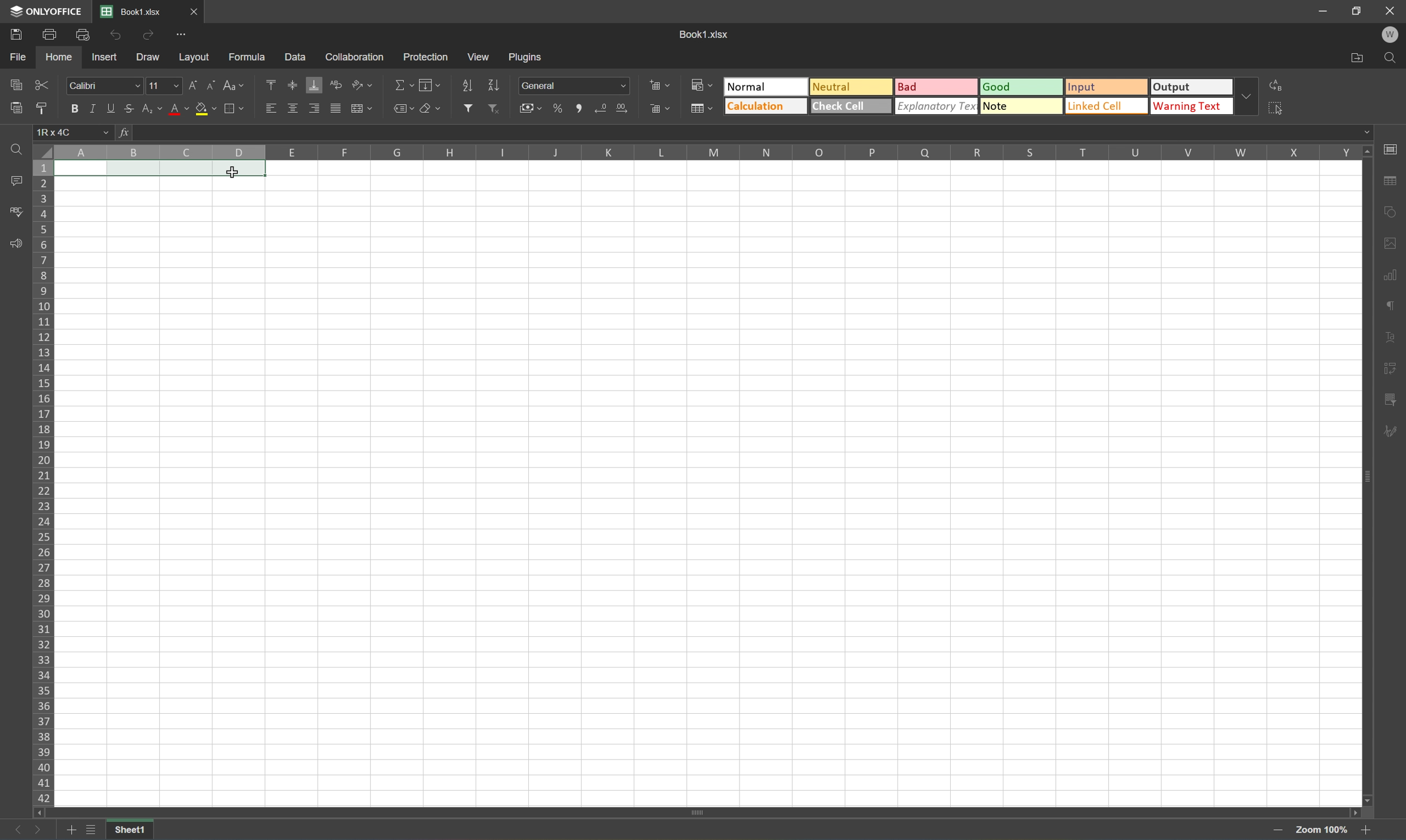 The height and width of the screenshot is (840, 1406). Describe the element at coordinates (1023, 86) in the screenshot. I see `Good` at that location.